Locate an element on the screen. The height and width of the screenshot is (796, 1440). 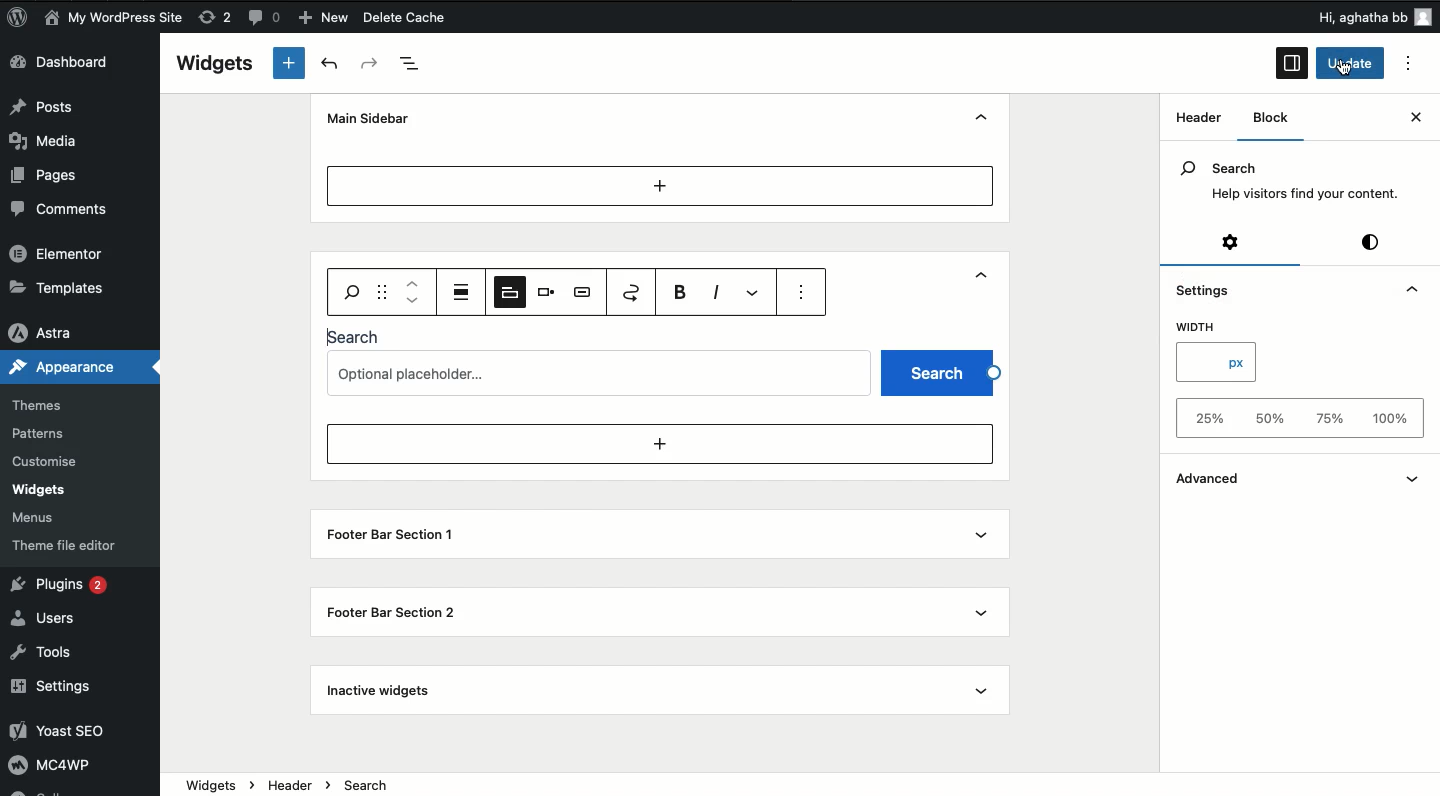
widgets is located at coordinates (800, 785).